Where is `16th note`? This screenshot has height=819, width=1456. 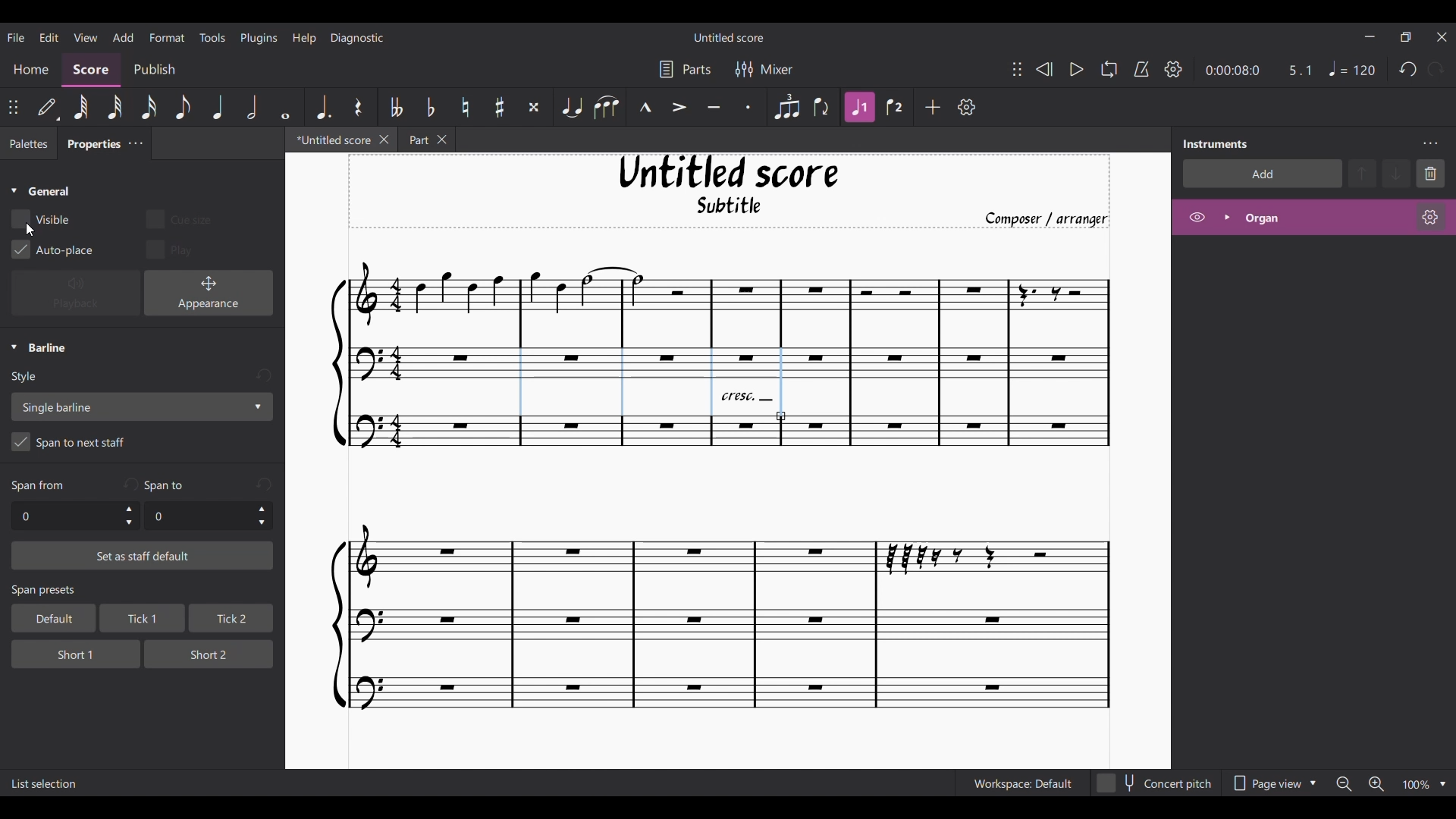
16th note is located at coordinates (150, 107).